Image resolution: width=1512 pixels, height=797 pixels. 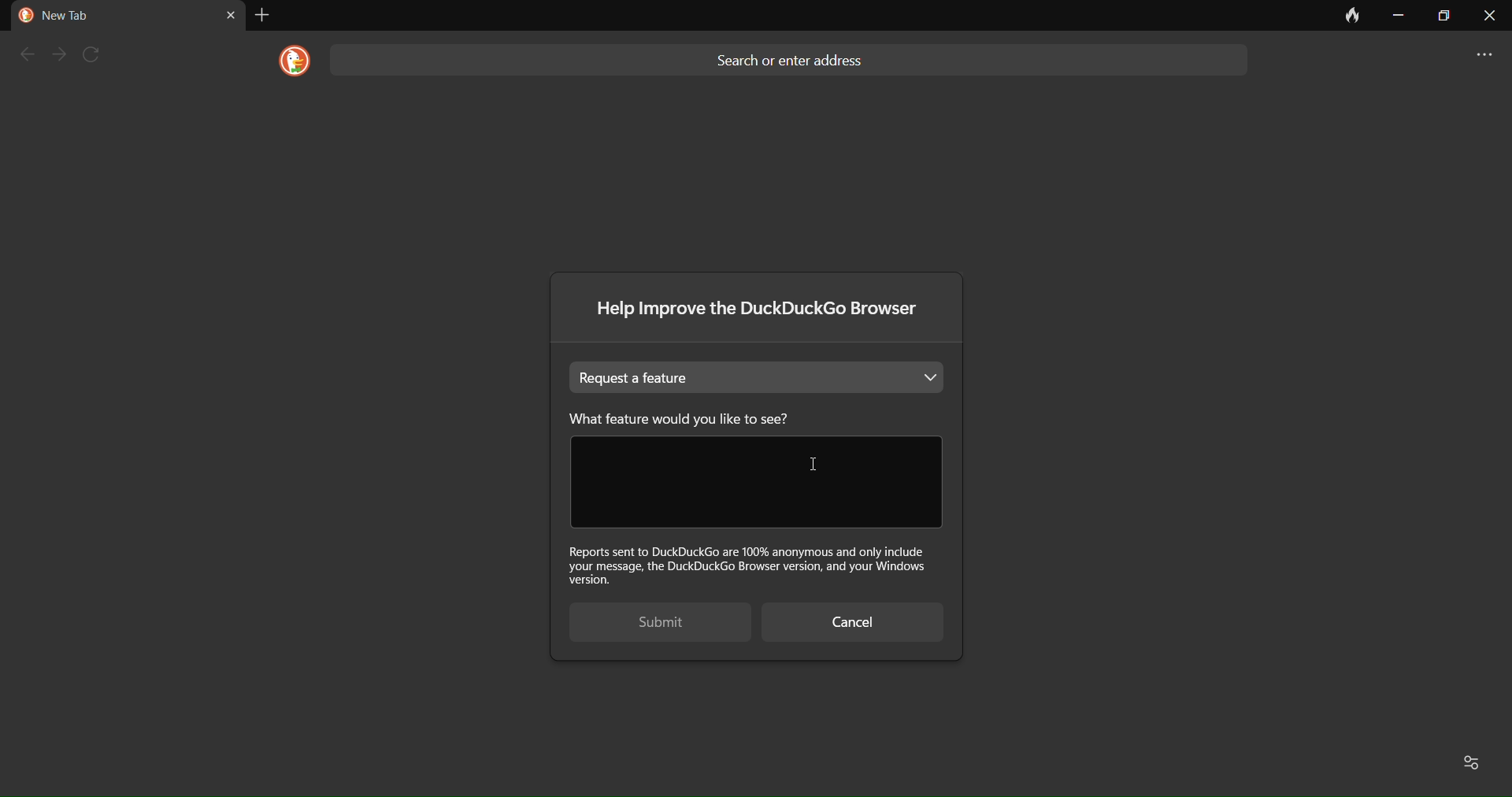 I want to click on Favorites and recent activity, so click(x=1474, y=761).